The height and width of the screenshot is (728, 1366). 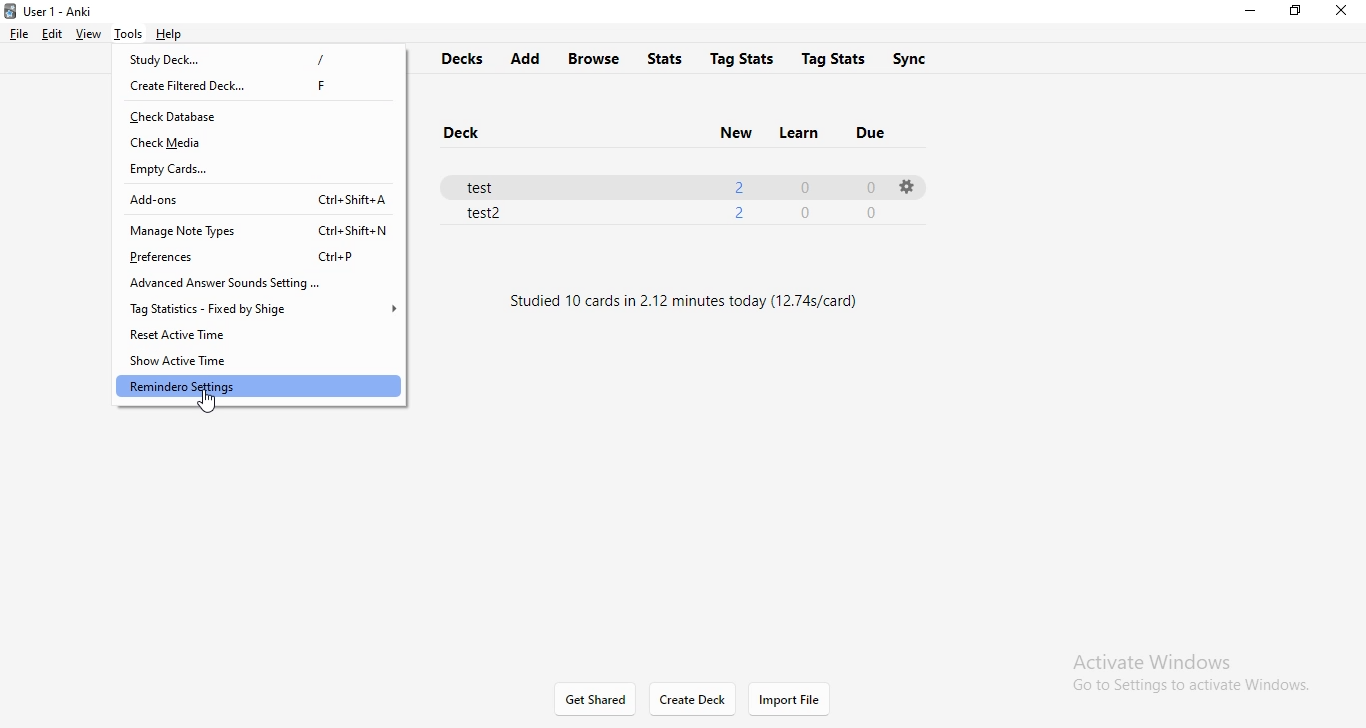 I want to click on 0, so click(x=810, y=187).